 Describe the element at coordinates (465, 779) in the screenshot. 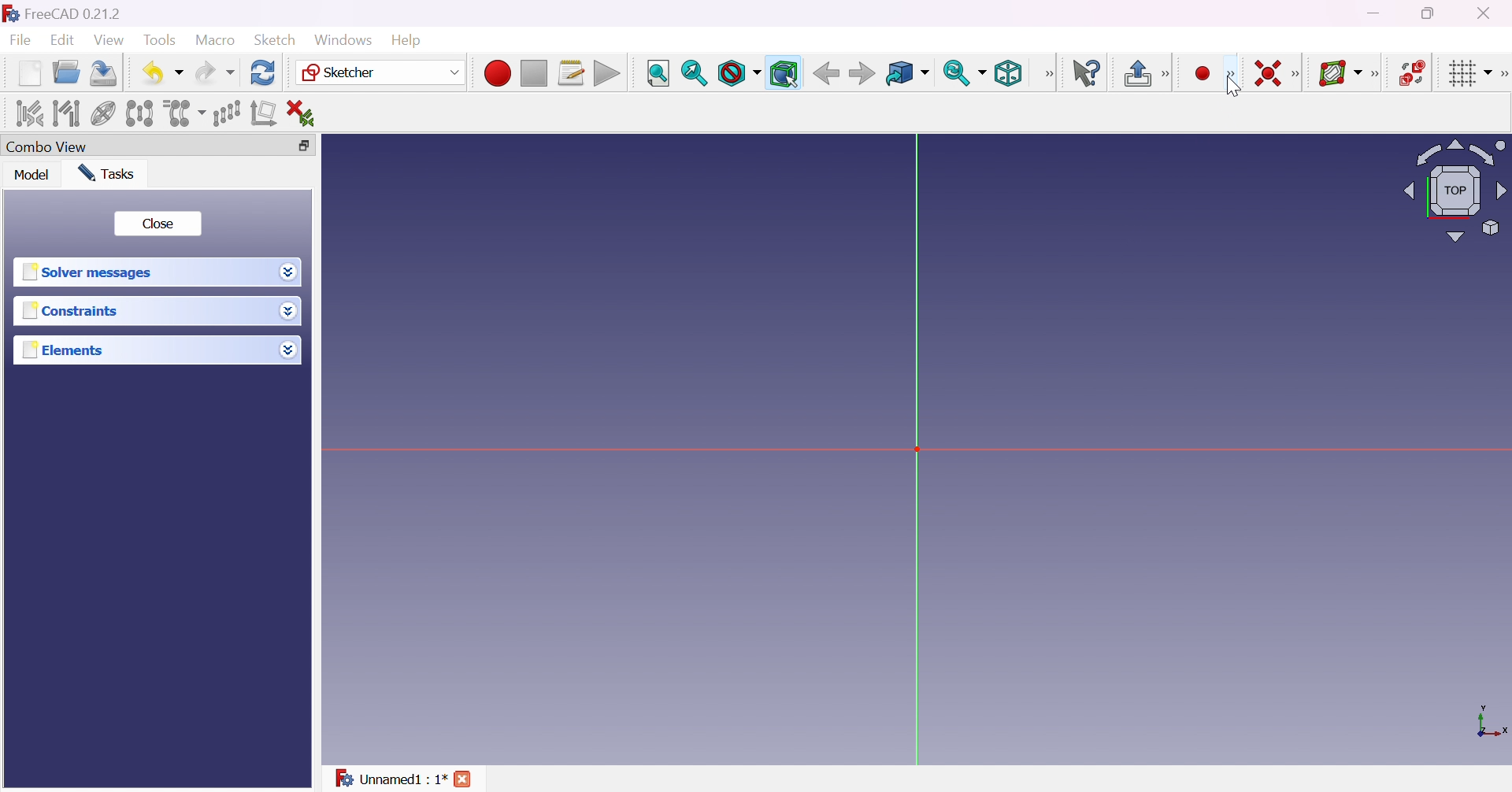

I see `Close` at that location.